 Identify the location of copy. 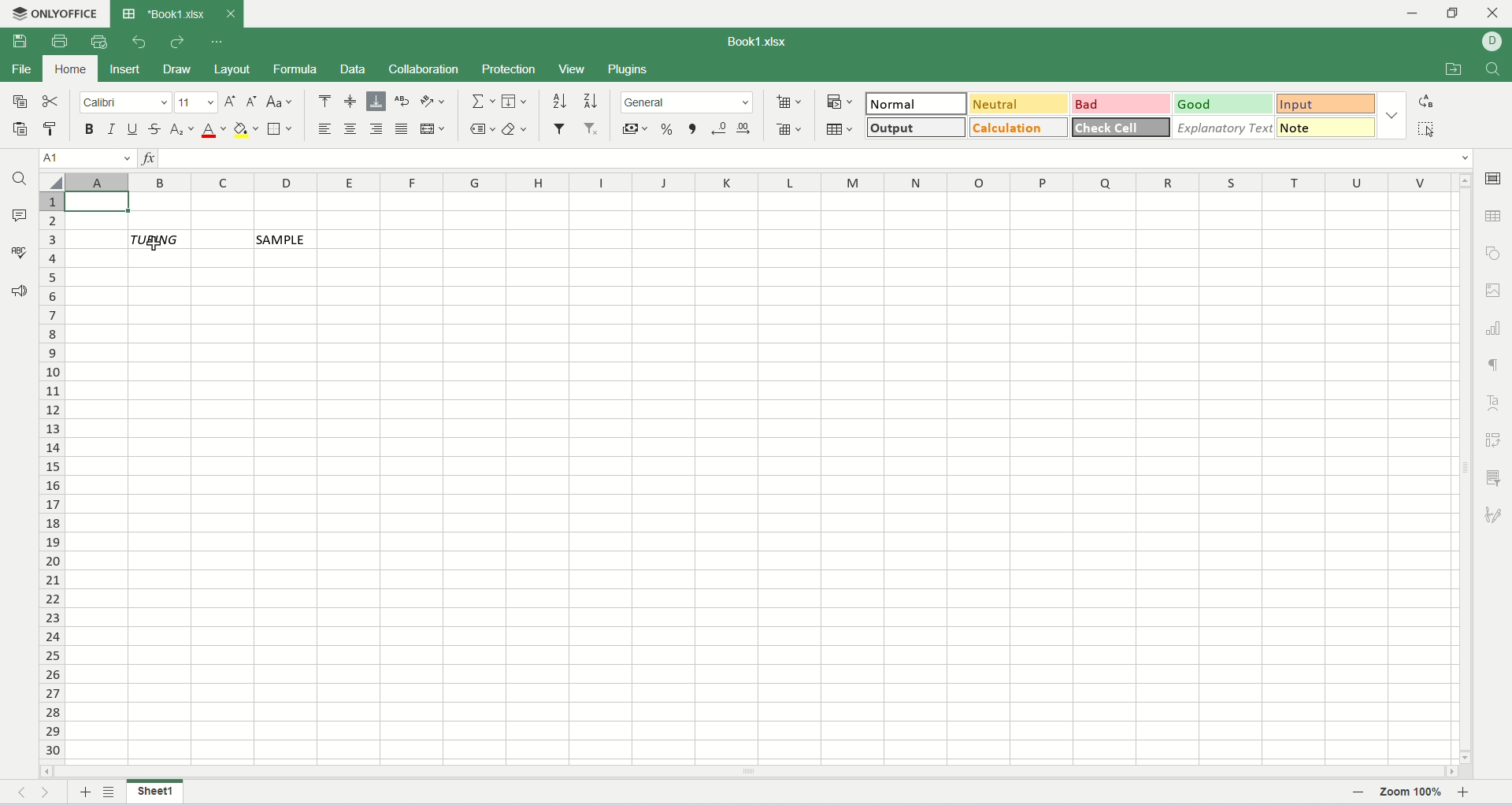
(15, 101).